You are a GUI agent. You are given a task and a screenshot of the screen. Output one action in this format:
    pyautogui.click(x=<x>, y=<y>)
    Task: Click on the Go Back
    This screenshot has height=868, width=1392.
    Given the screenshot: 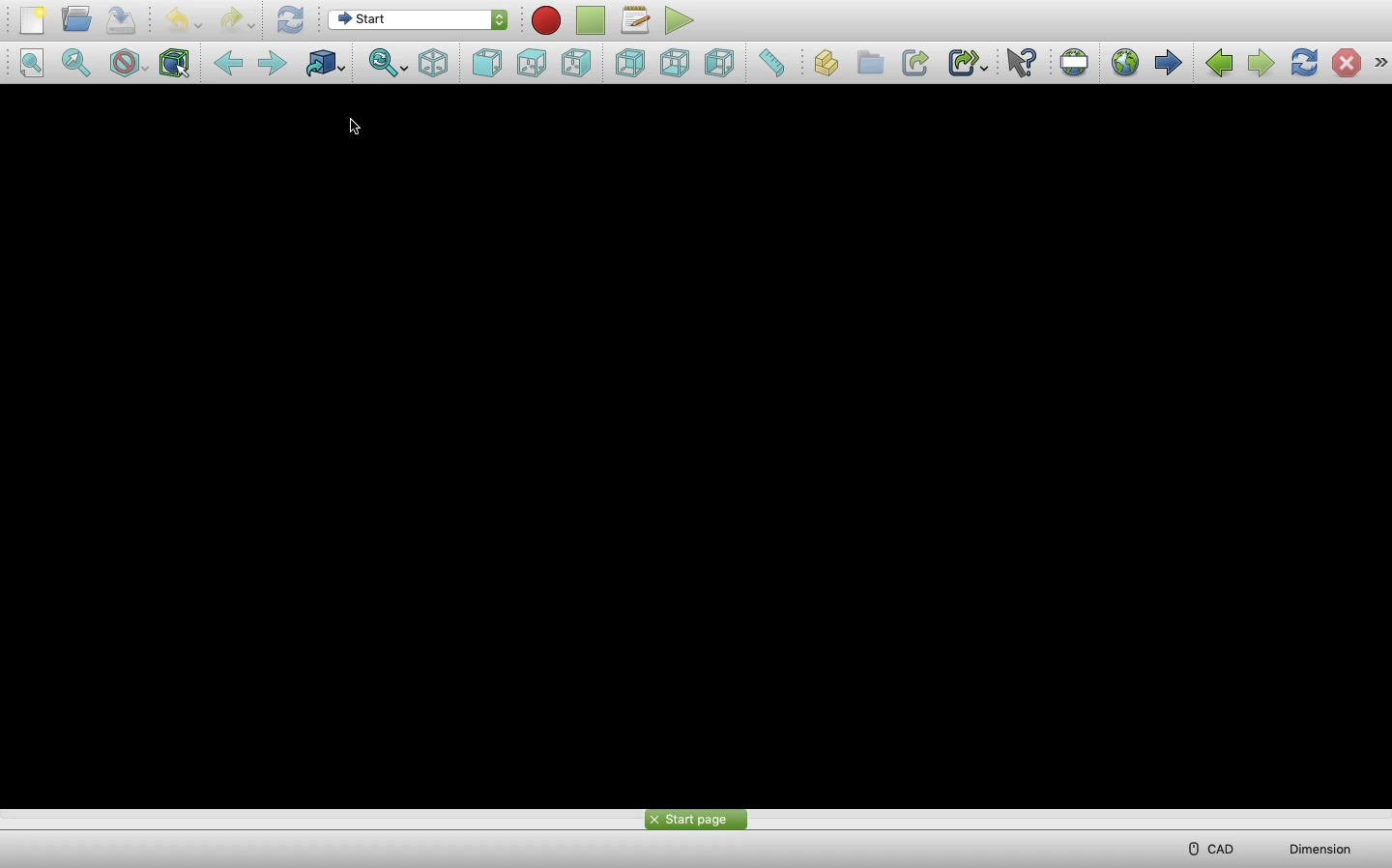 What is the action you would take?
    pyautogui.click(x=227, y=62)
    